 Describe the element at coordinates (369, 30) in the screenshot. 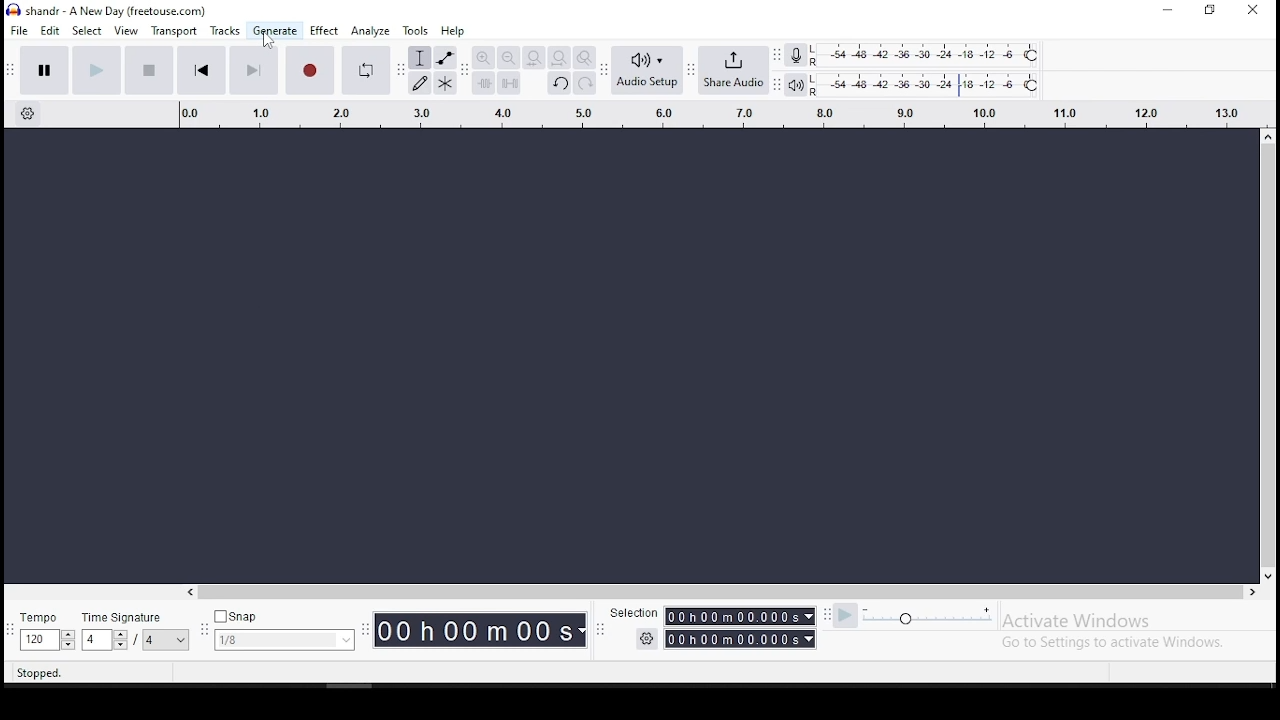

I see `analyze` at that location.